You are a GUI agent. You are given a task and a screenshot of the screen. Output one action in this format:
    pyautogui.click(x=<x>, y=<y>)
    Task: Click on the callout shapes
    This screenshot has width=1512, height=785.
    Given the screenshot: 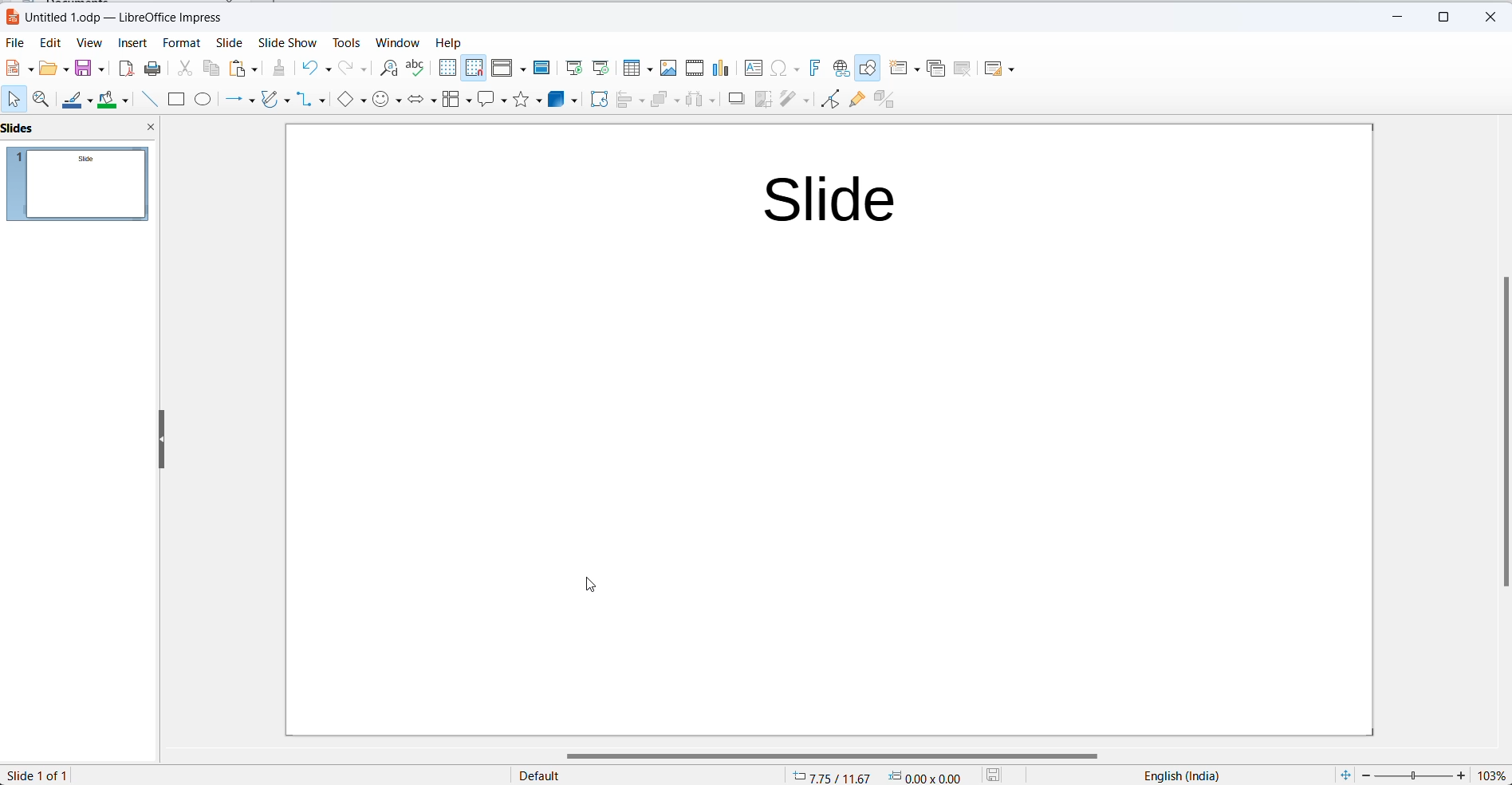 What is the action you would take?
    pyautogui.click(x=492, y=101)
    